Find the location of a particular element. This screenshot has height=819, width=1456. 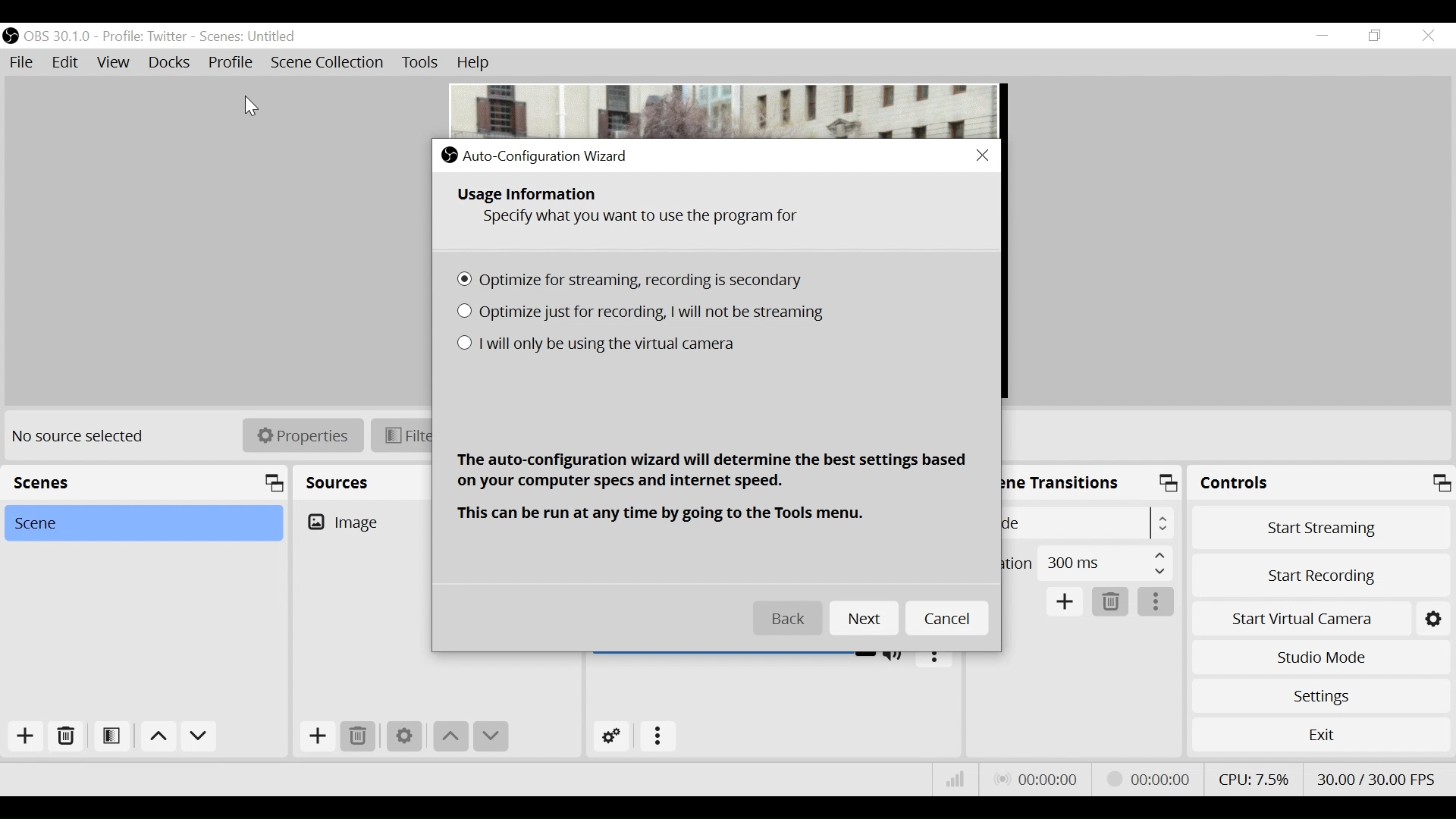

Close is located at coordinates (1427, 35).